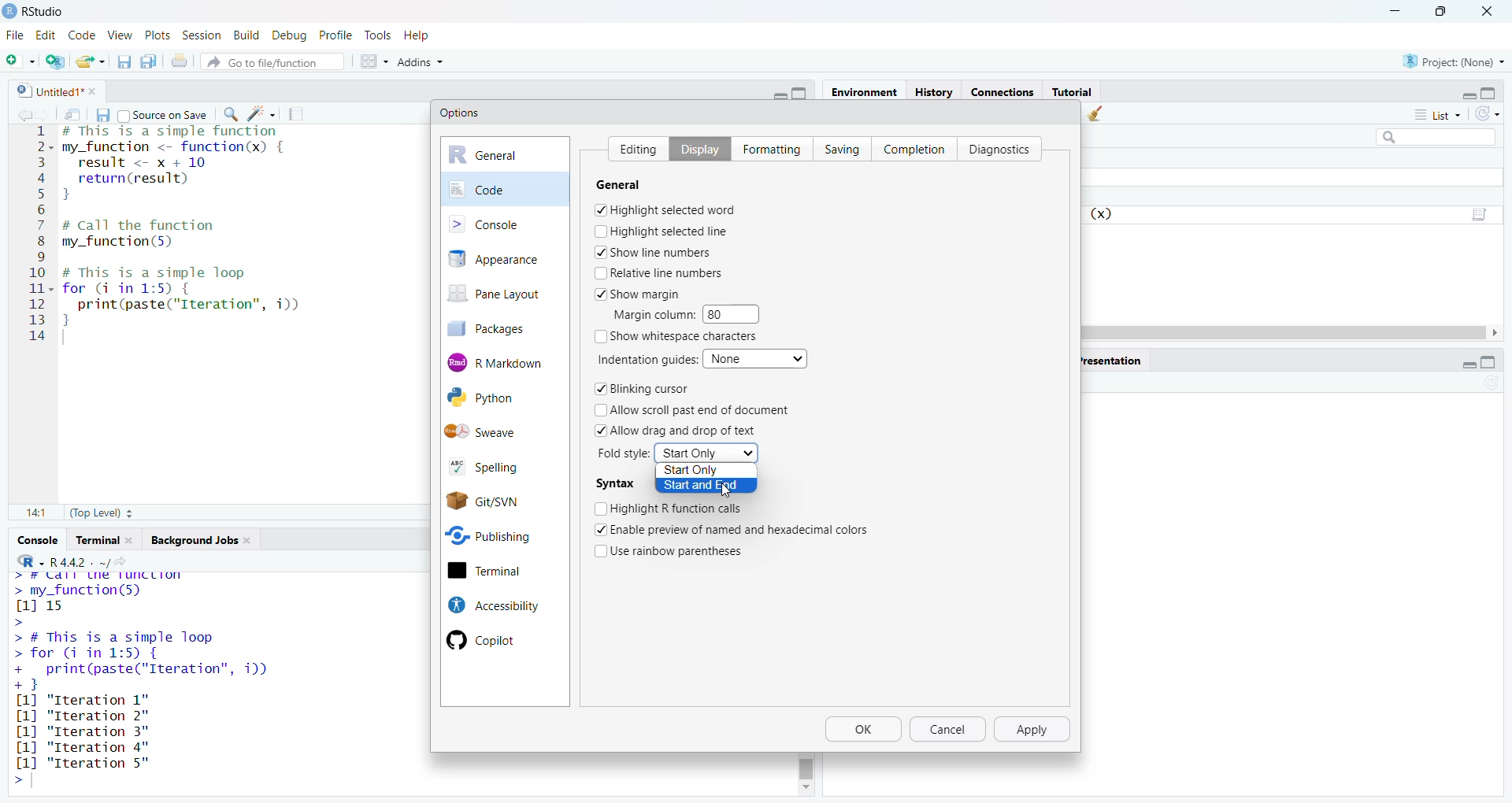 This screenshot has height=803, width=1512. I want to click on go to file/function, so click(273, 60).